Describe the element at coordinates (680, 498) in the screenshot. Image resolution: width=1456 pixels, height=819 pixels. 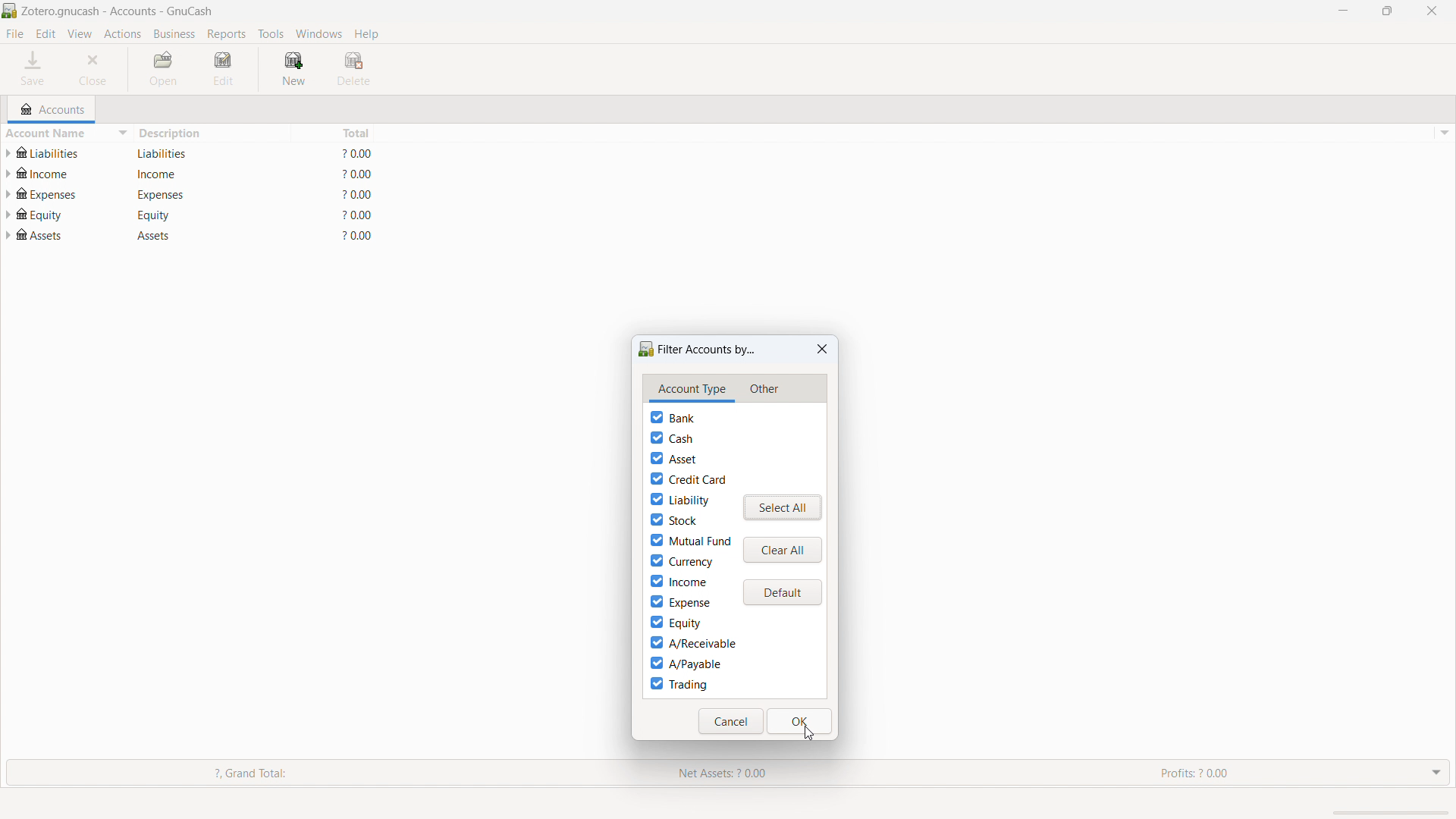
I see `liability` at that location.